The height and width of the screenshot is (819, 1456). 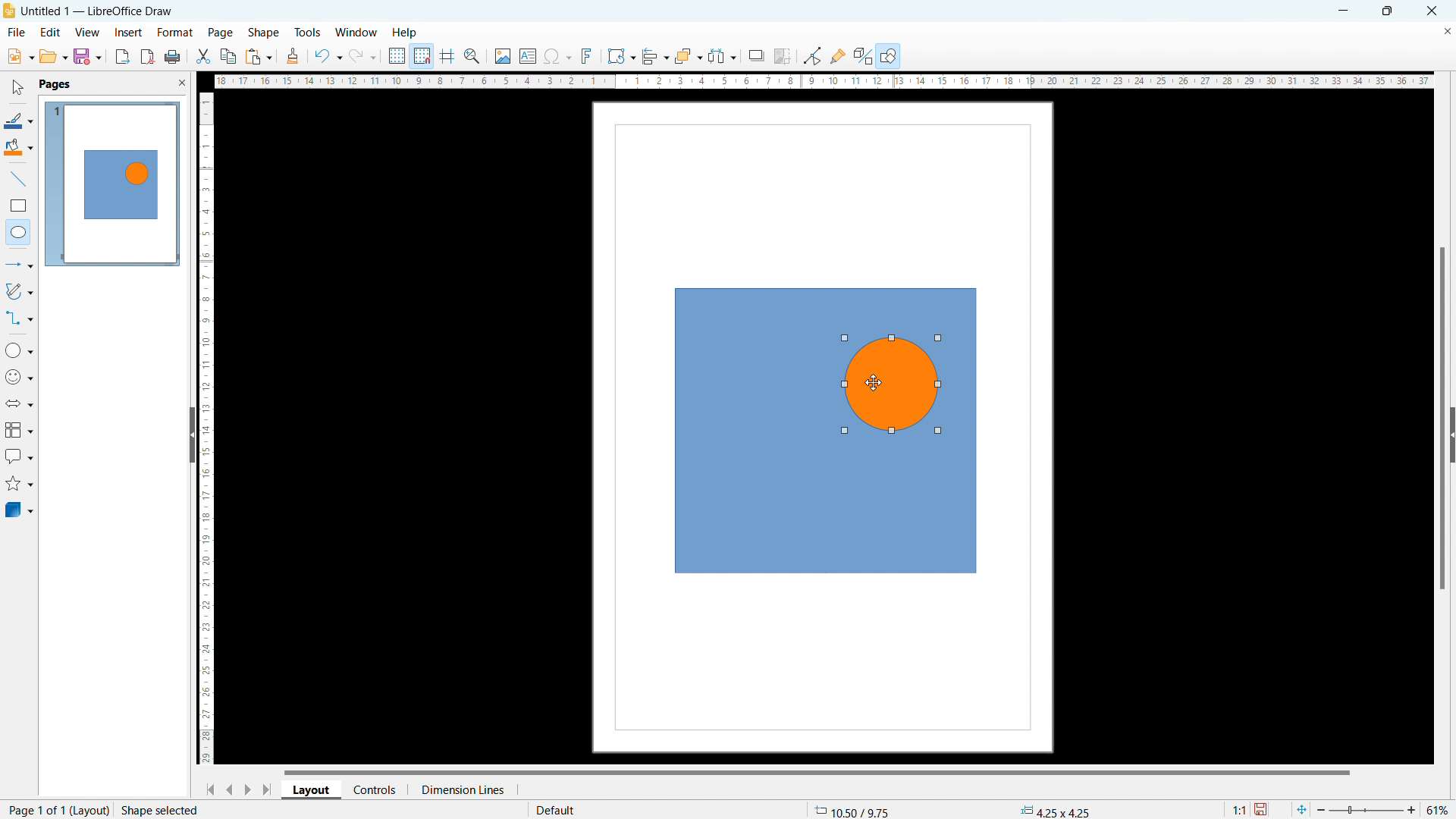 I want to click on view, so click(x=87, y=33).